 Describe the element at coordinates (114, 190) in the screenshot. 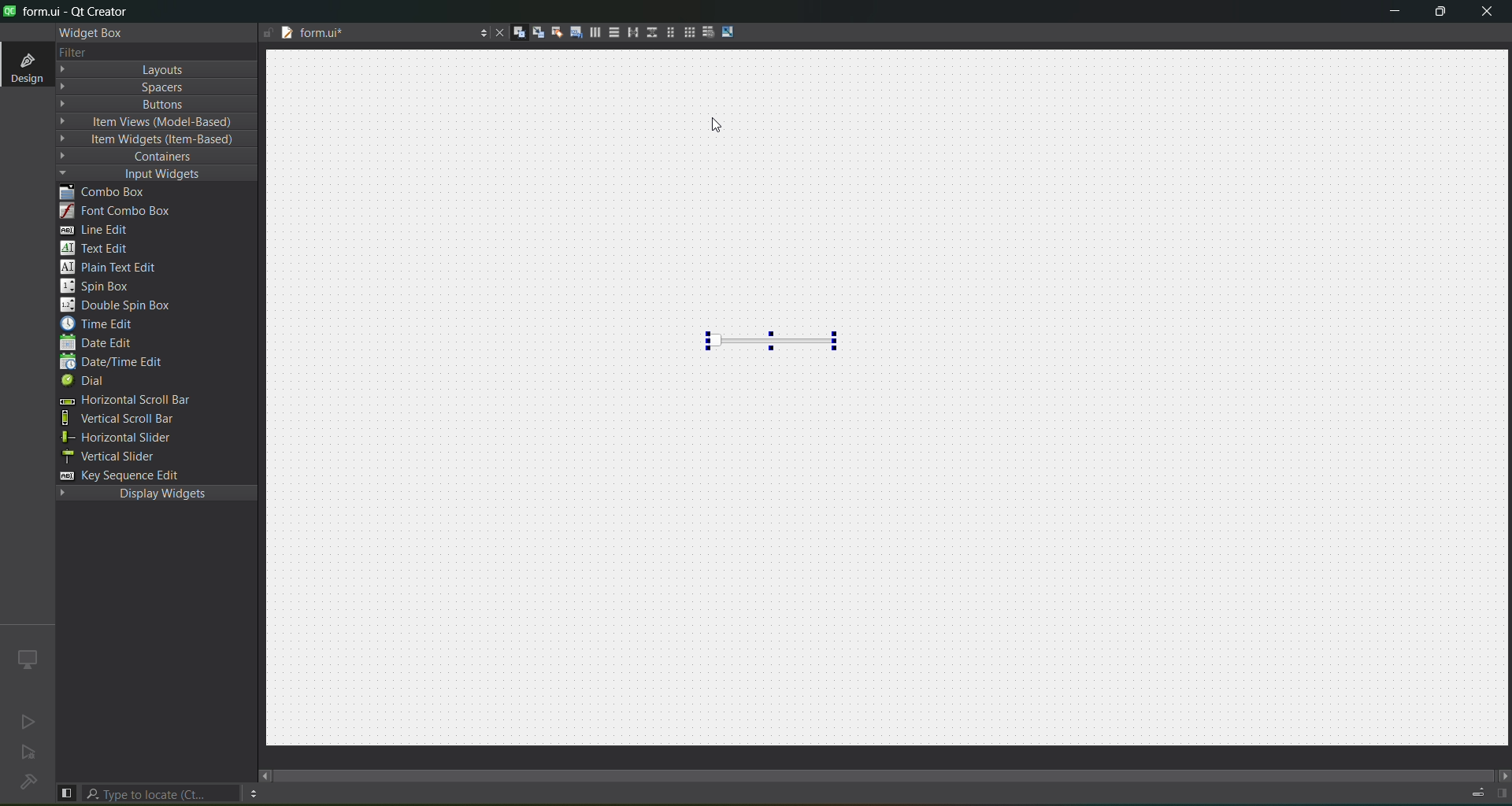

I see `combo box` at that location.